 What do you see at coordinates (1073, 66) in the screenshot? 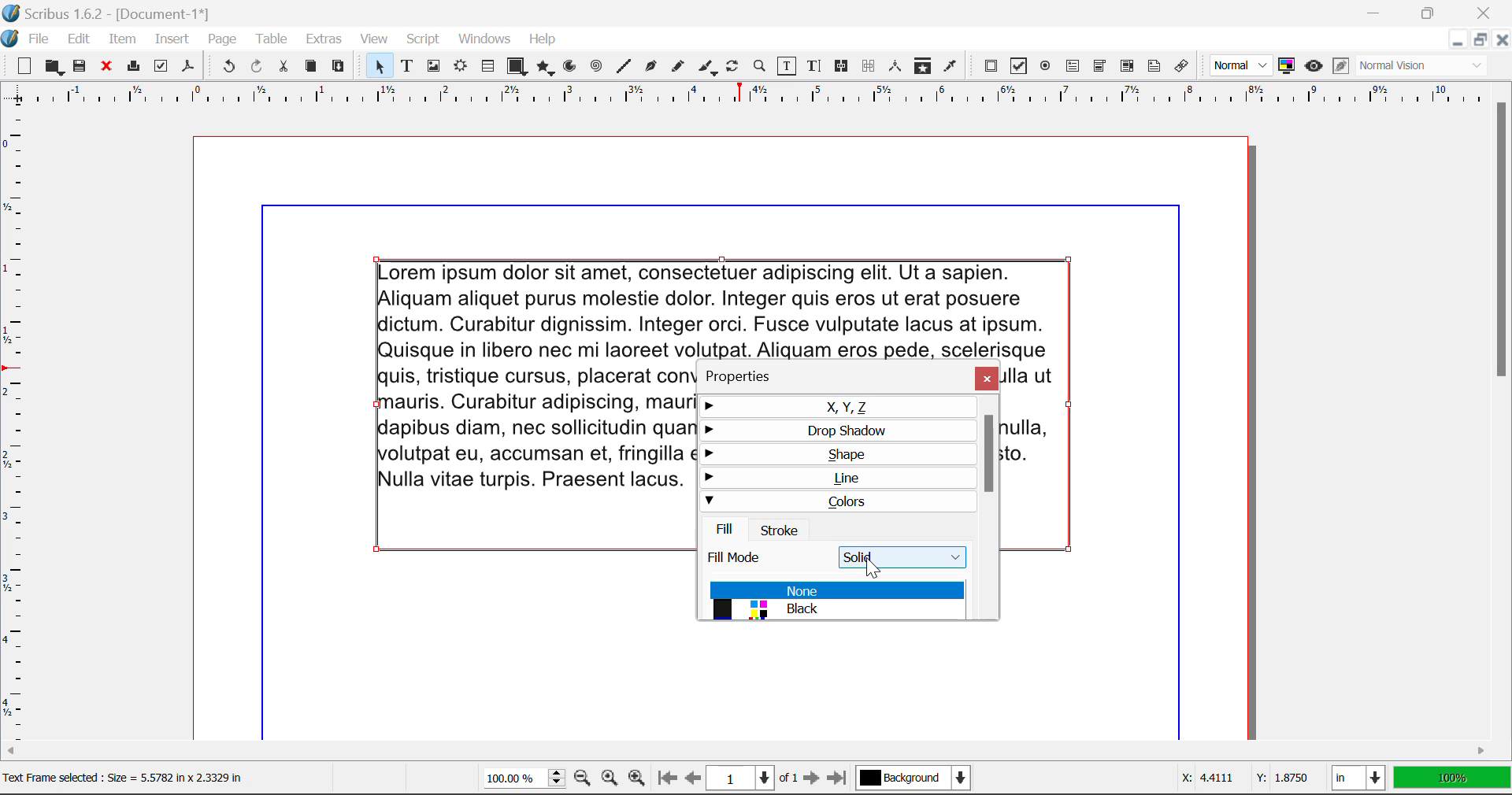
I see `PDF Text Fields` at bounding box center [1073, 66].